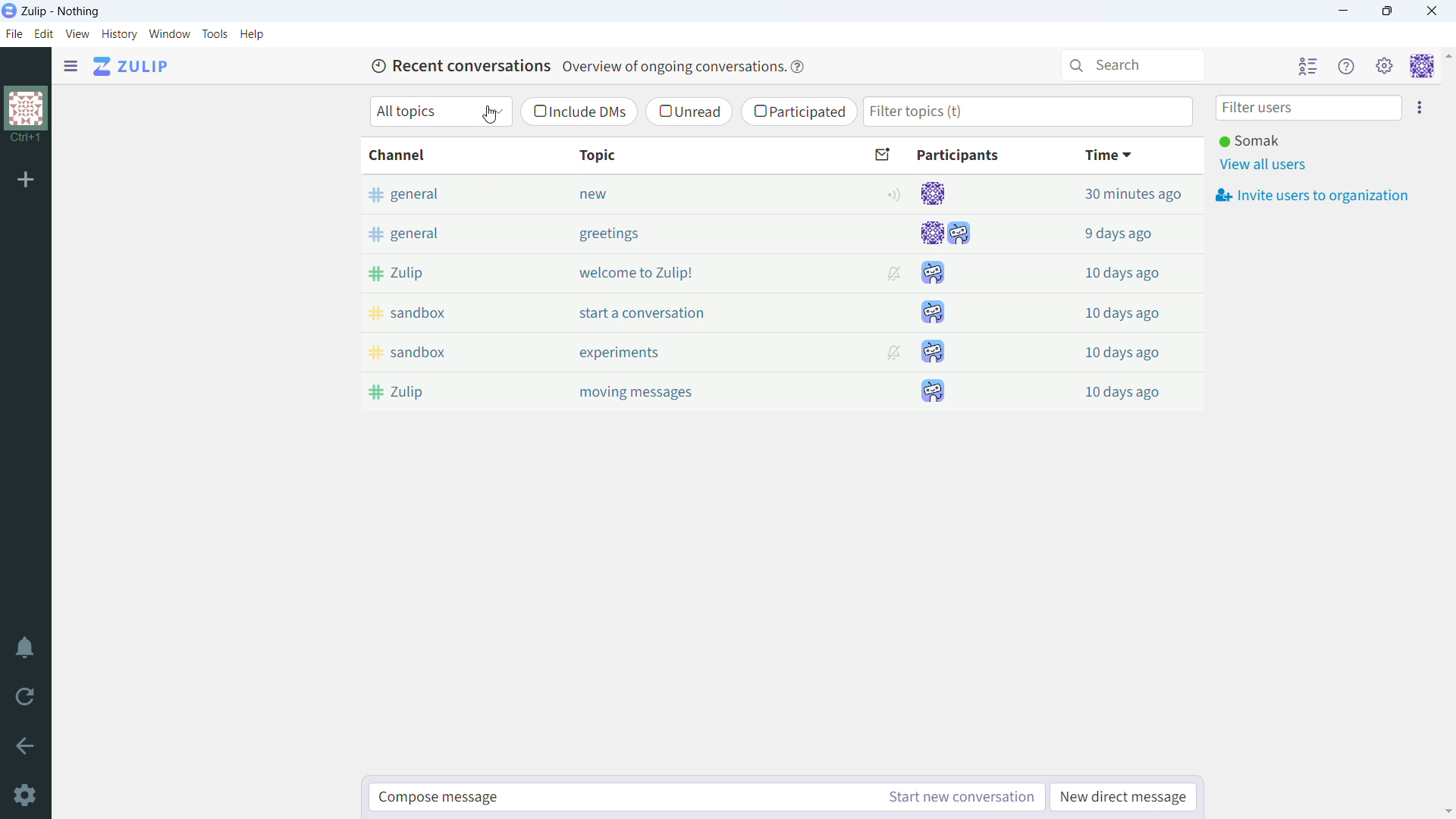 The width and height of the screenshot is (1456, 819). I want to click on new, so click(681, 195).